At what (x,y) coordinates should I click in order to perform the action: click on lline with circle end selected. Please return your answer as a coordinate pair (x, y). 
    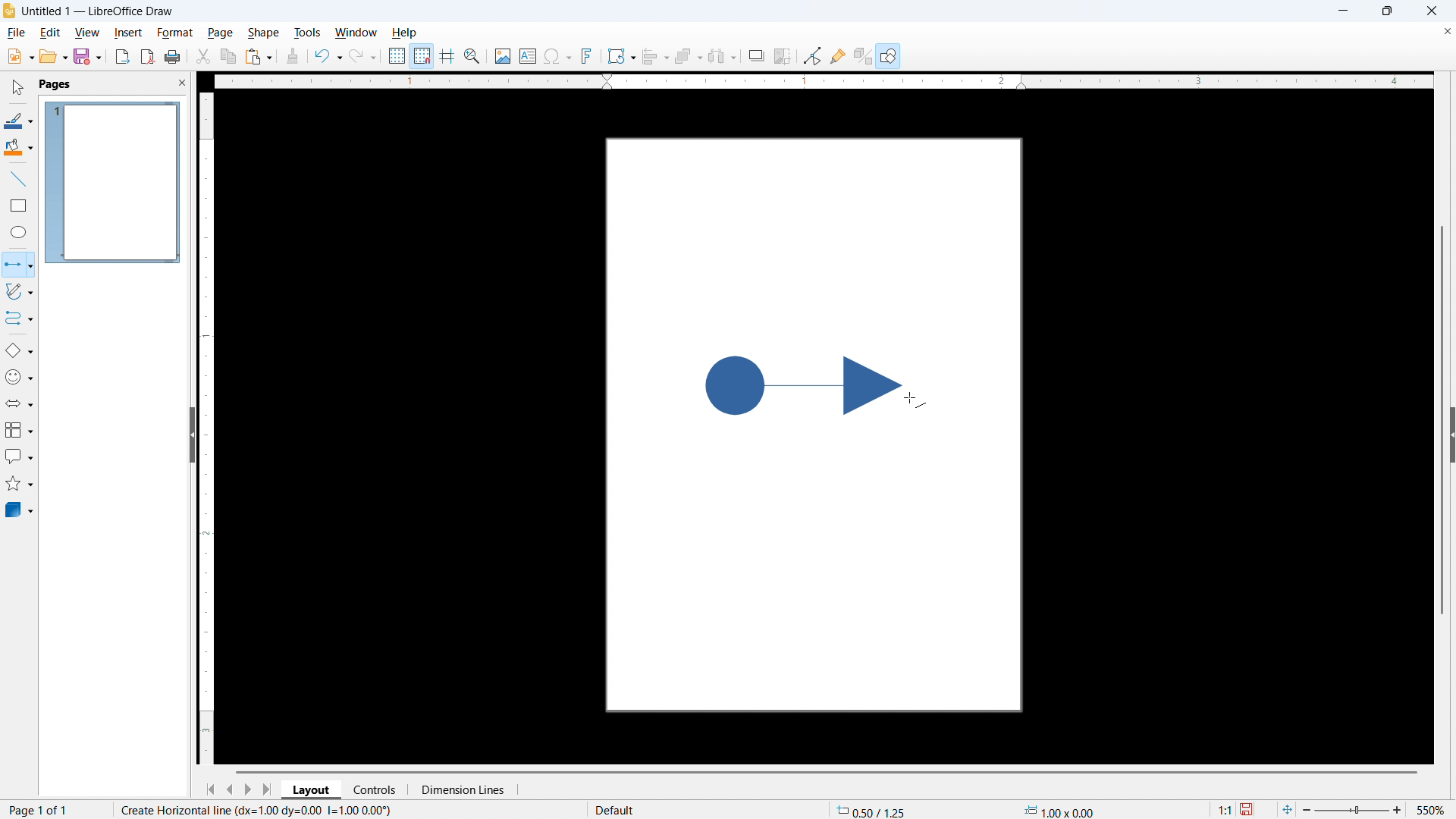
    Looking at the image, I should click on (17, 265).